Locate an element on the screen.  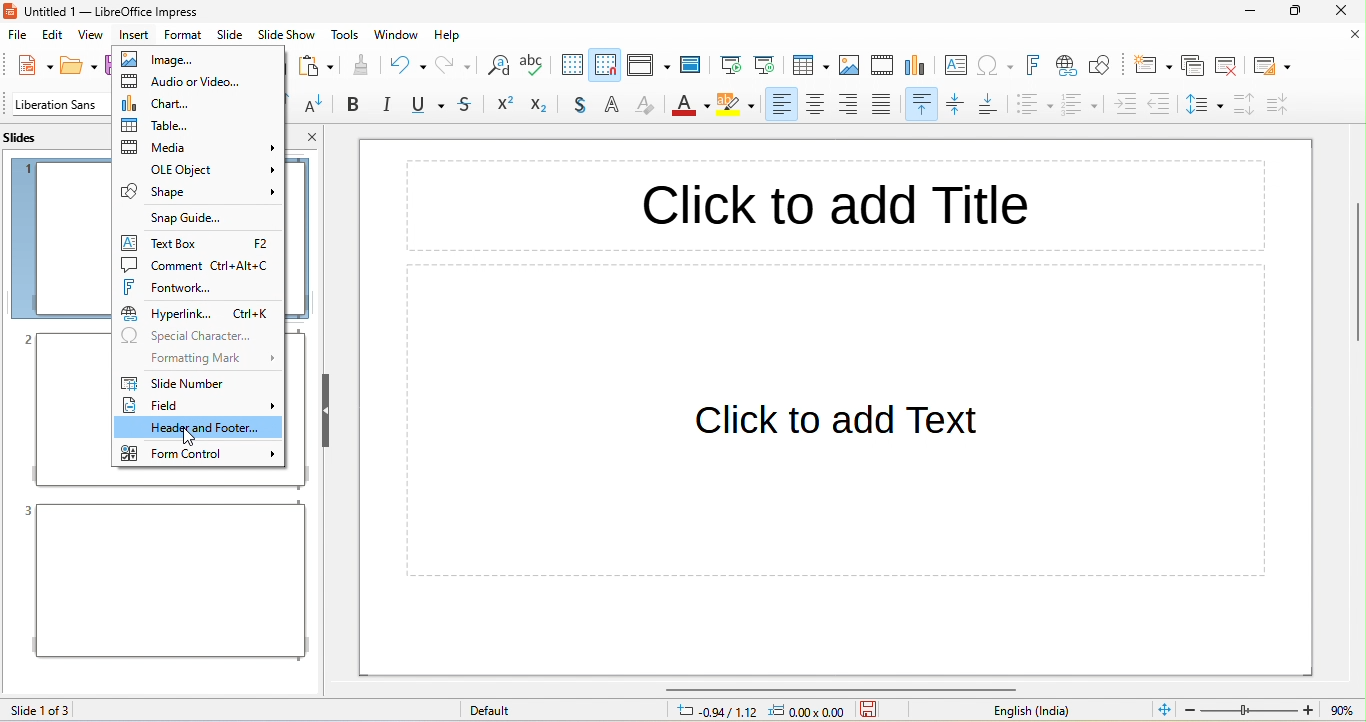
horizontal scroll bar is located at coordinates (843, 688).